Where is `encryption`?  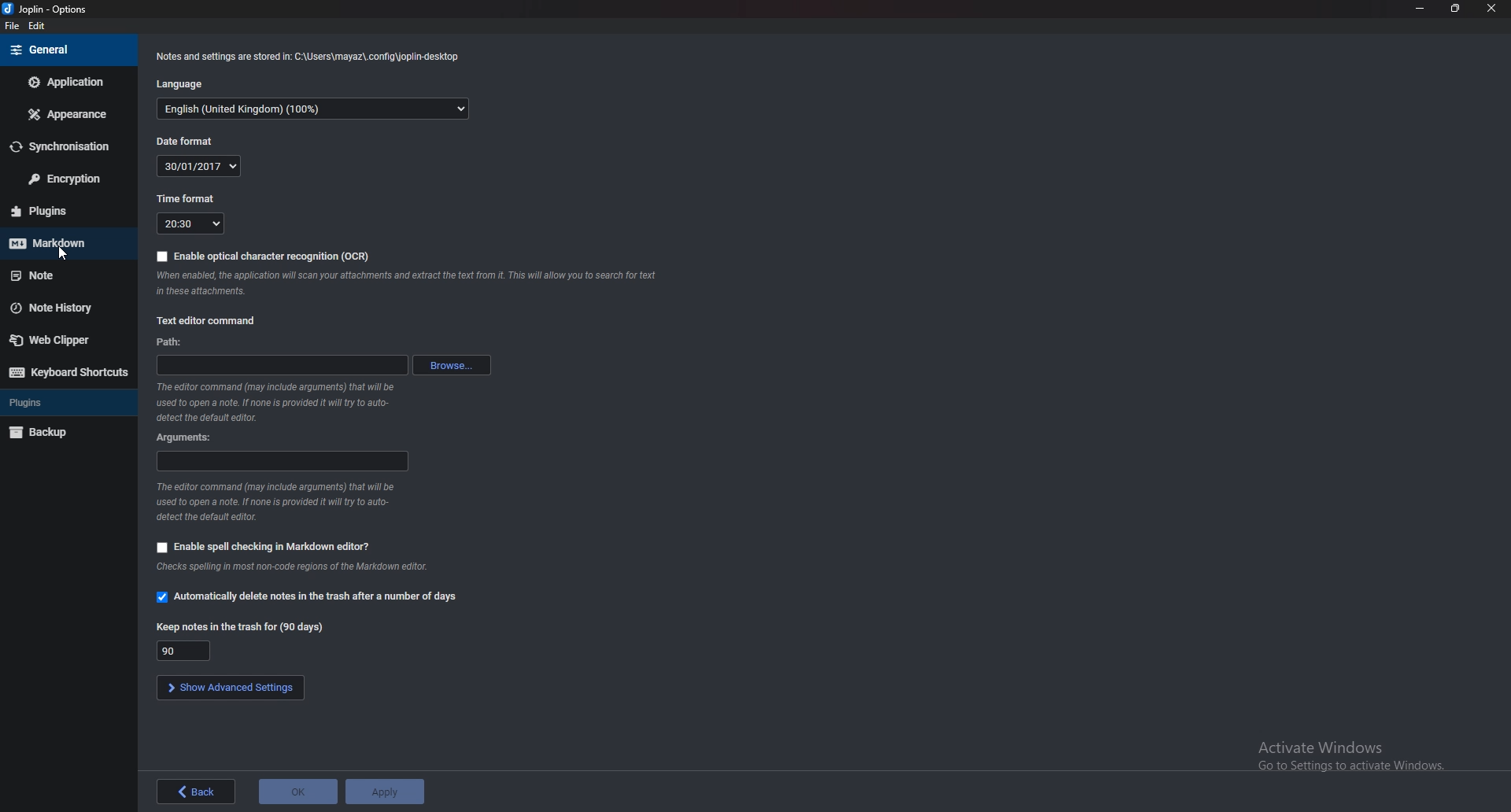 encryption is located at coordinates (63, 180).